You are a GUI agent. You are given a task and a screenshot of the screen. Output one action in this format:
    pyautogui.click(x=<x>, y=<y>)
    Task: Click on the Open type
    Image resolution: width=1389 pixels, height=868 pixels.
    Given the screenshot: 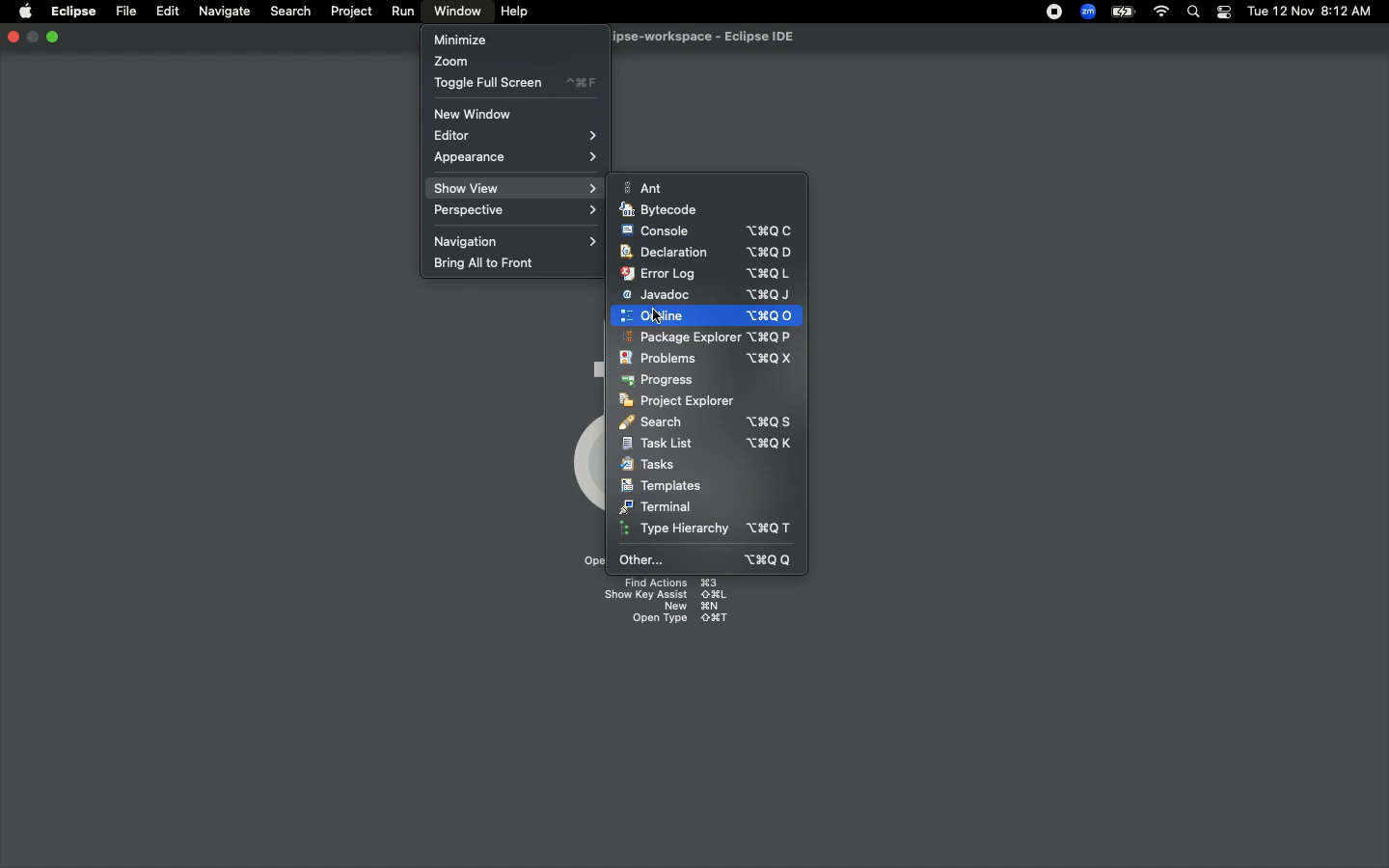 What is the action you would take?
    pyautogui.click(x=680, y=621)
    